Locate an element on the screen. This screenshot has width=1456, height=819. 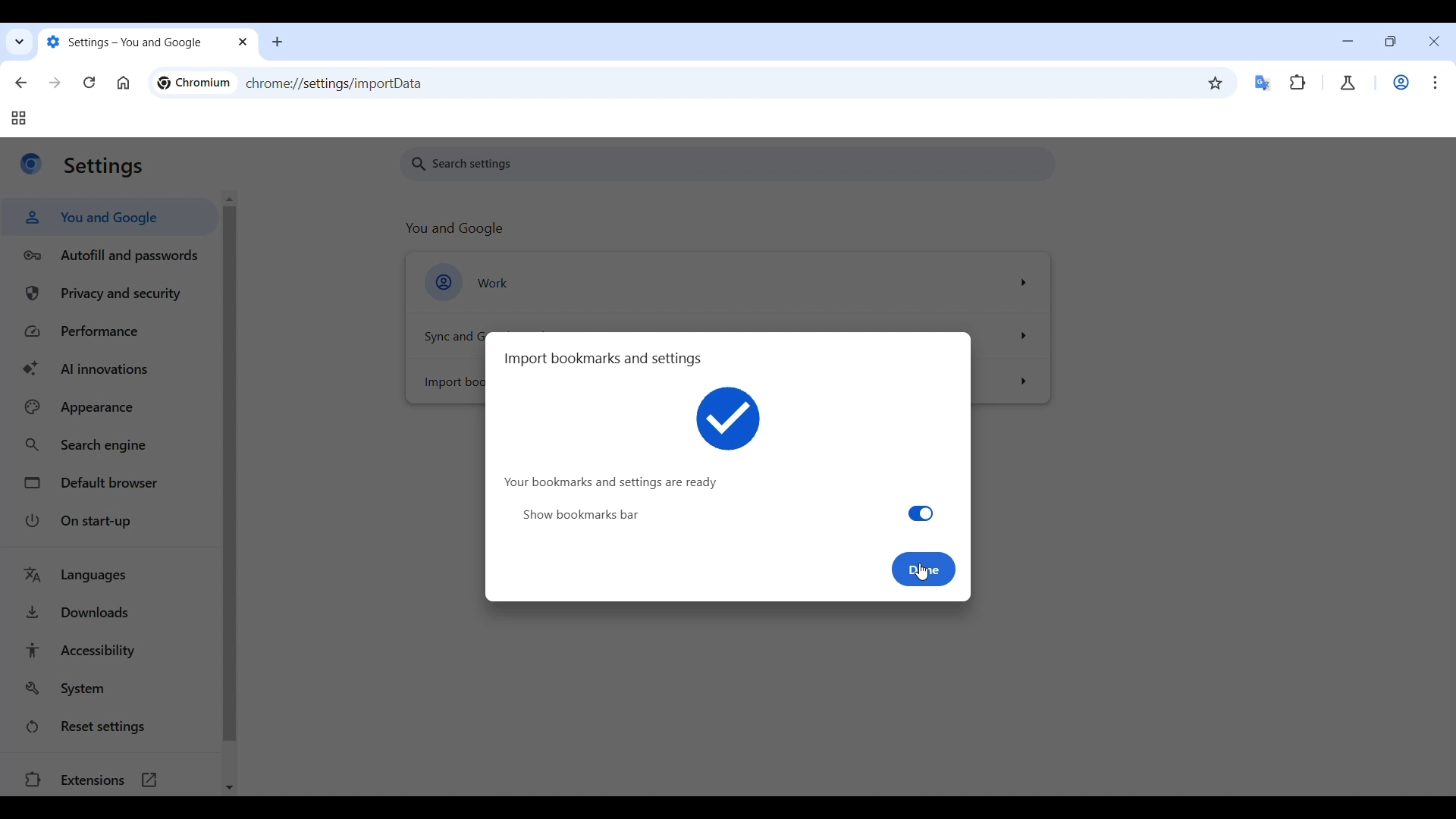
You and Google is located at coordinates (108, 217).